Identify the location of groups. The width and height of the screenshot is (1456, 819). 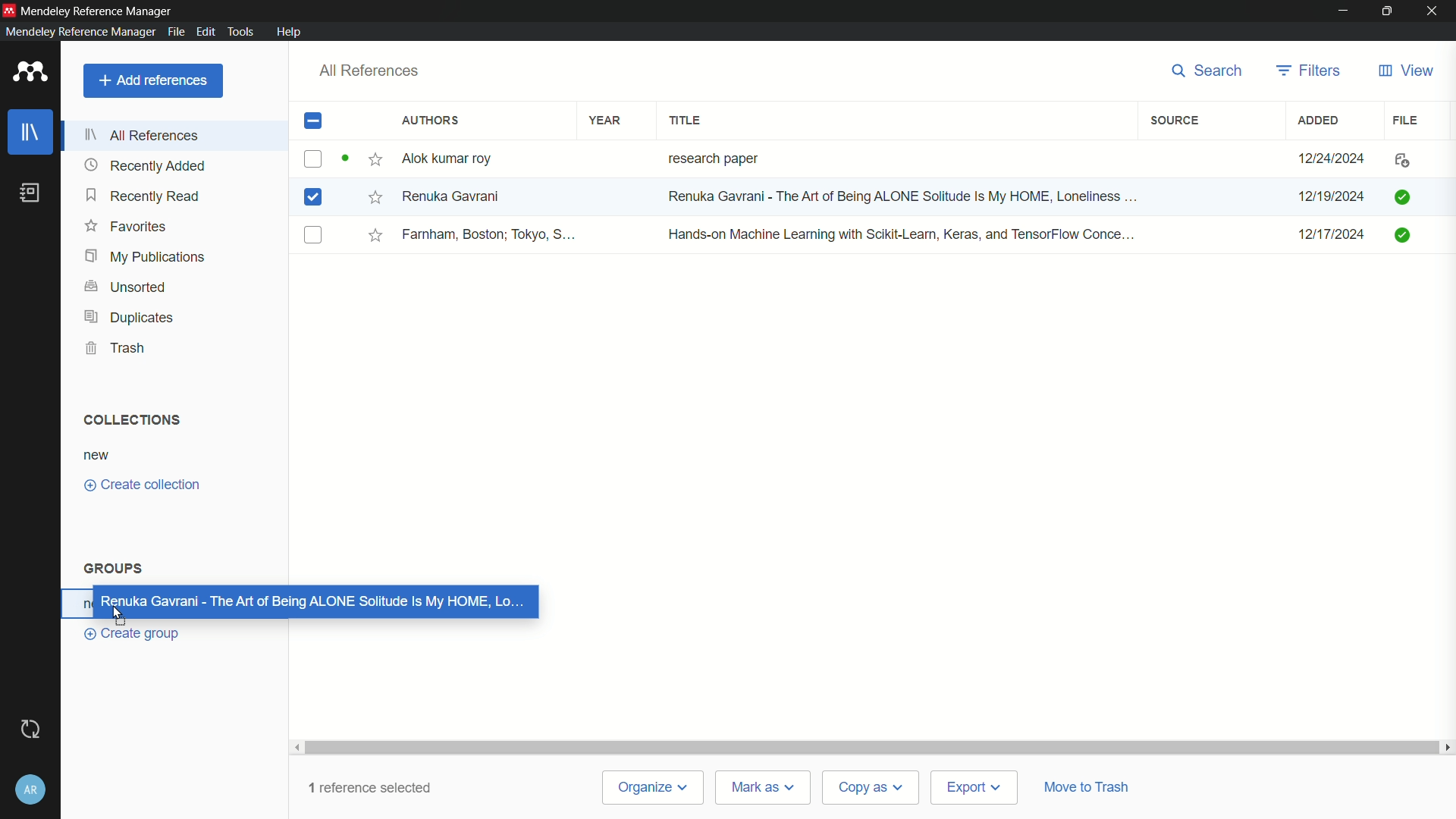
(113, 568).